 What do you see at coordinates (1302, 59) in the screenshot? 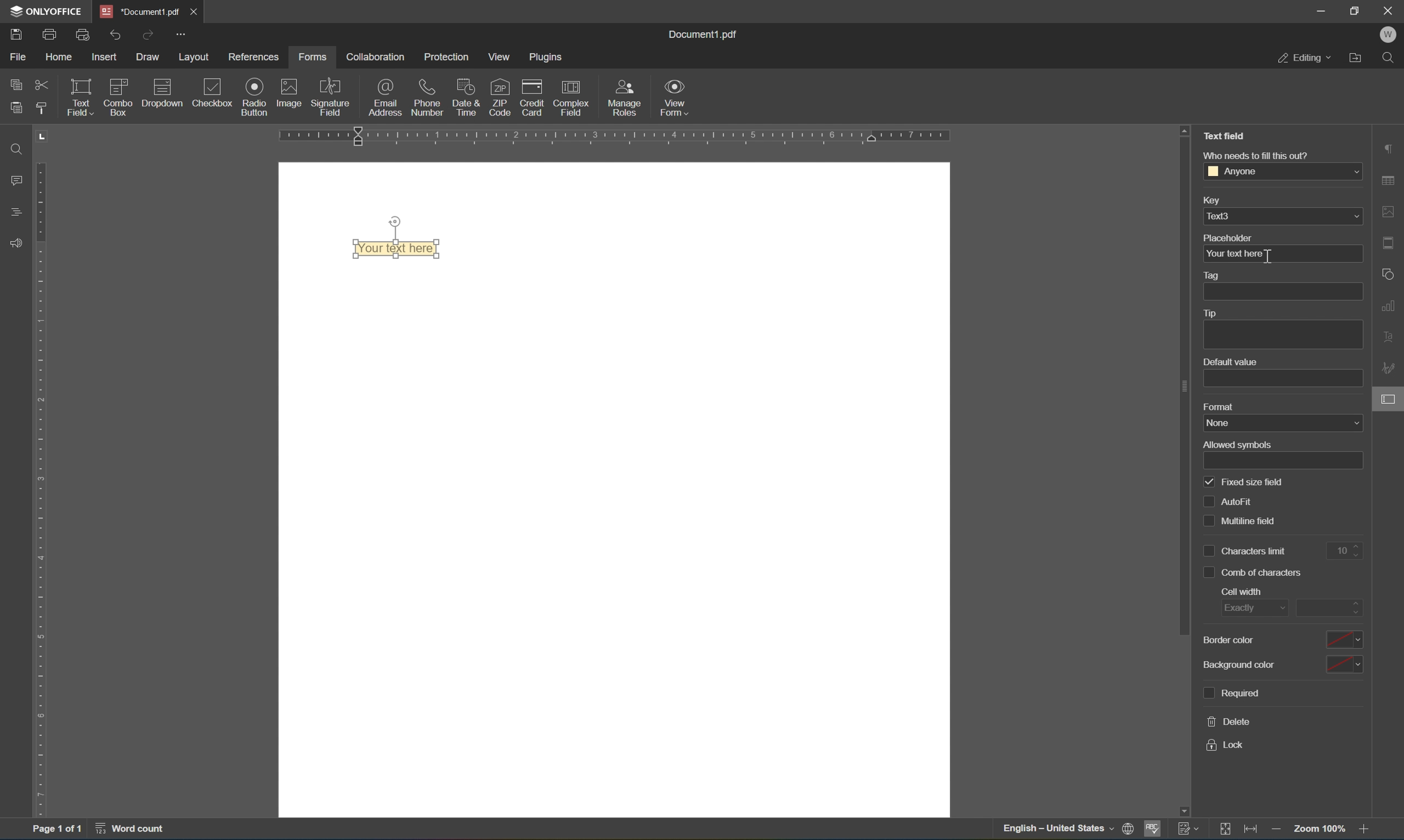
I see `editing` at bounding box center [1302, 59].